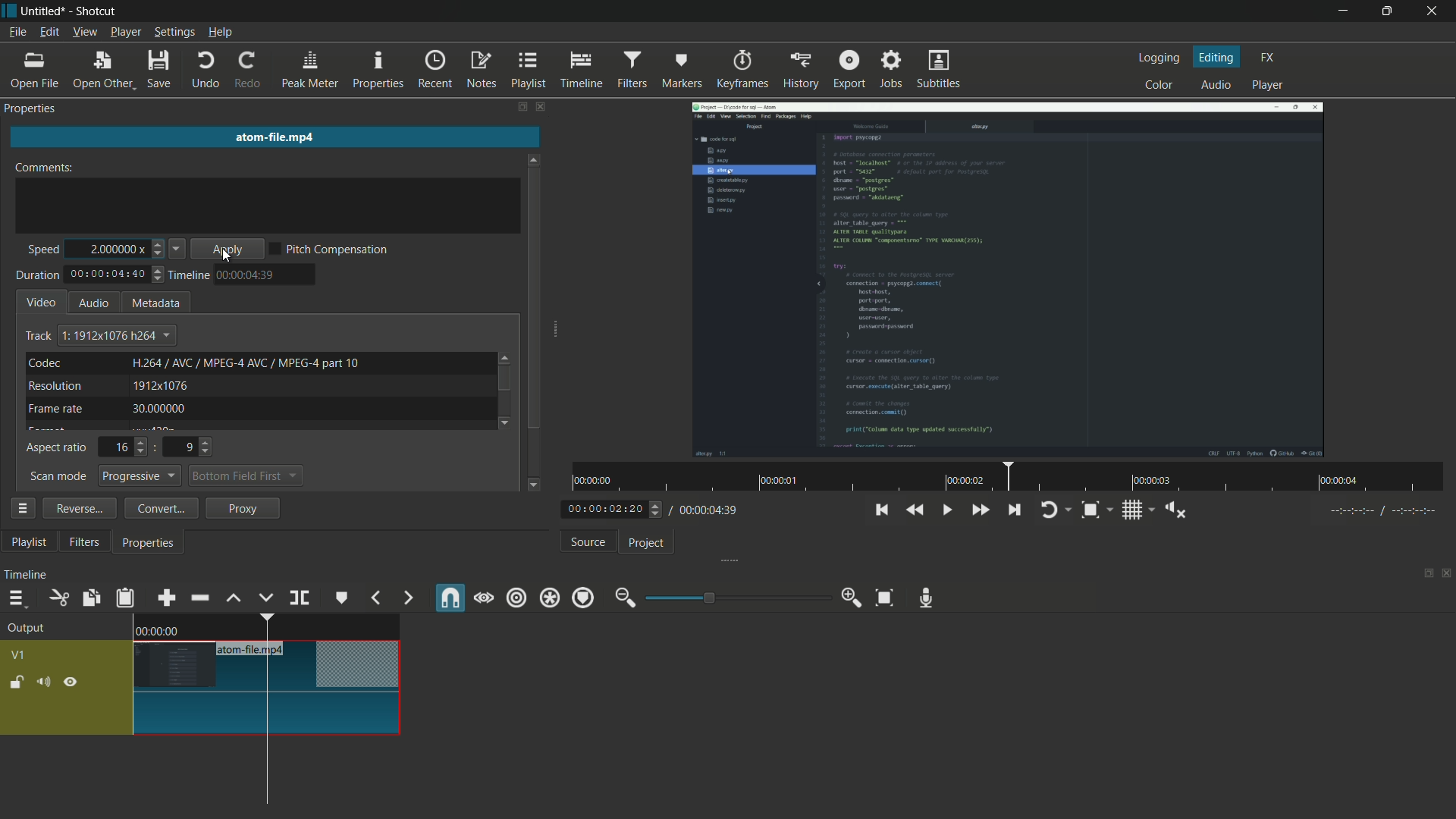  Describe the element at coordinates (37, 108) in the screenshot. I see `Properties` at that location.